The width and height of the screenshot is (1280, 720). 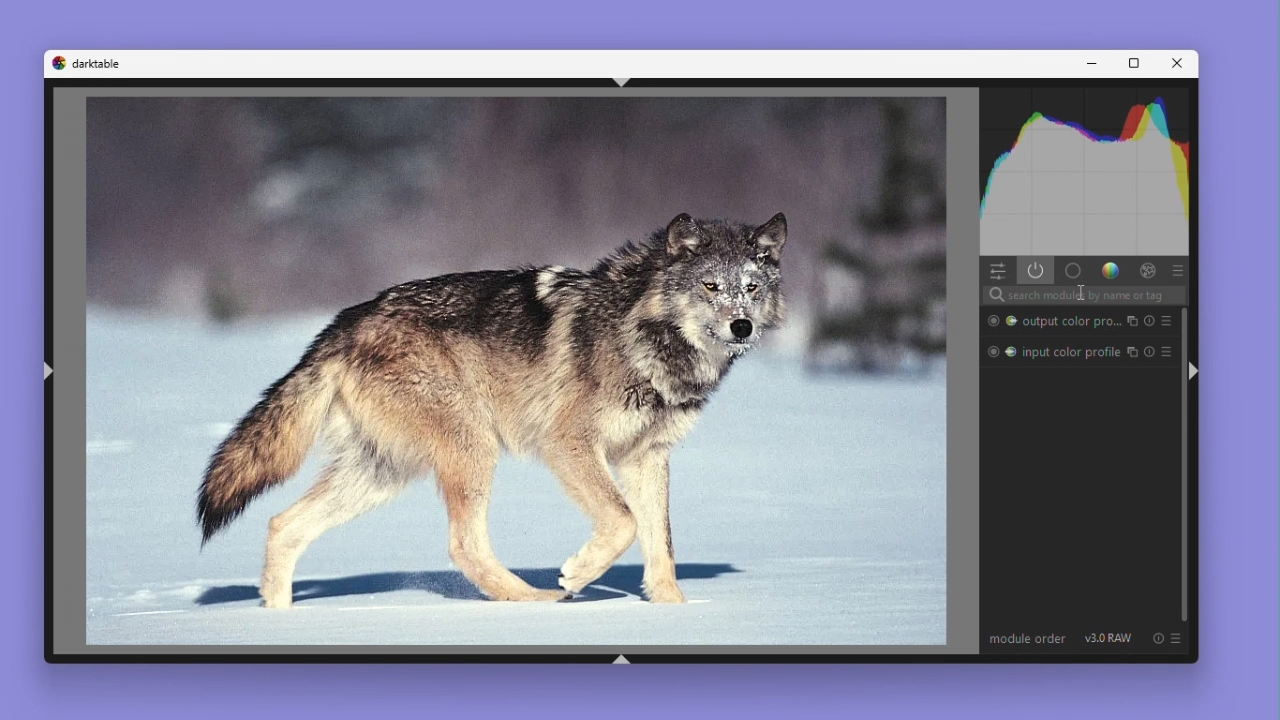 What do you see at coordinates (1160, 638) in the screenshot?
I see `reset` at bounding box center [1160, 638].